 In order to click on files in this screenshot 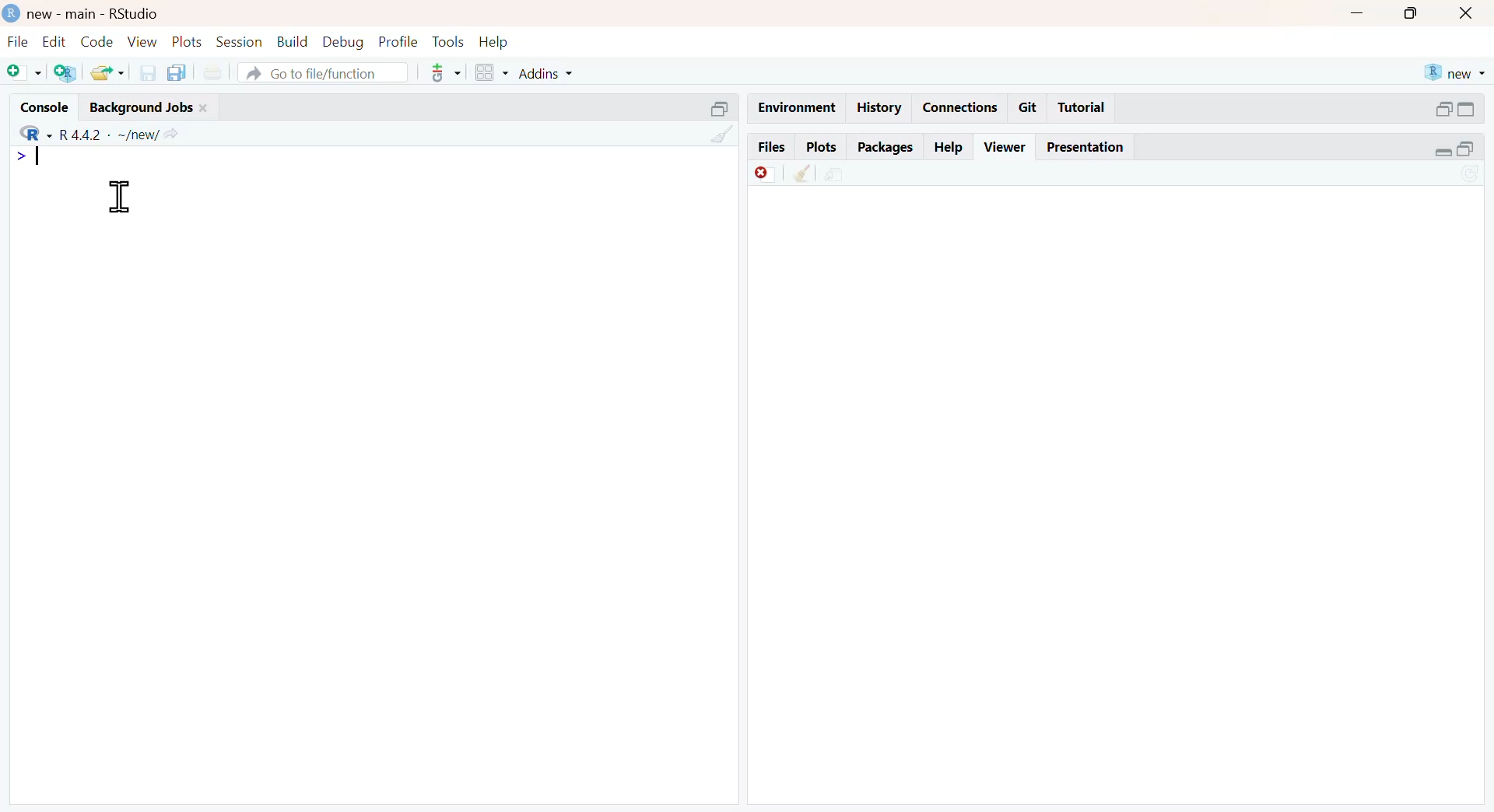, I will do `click(773, 145)`.